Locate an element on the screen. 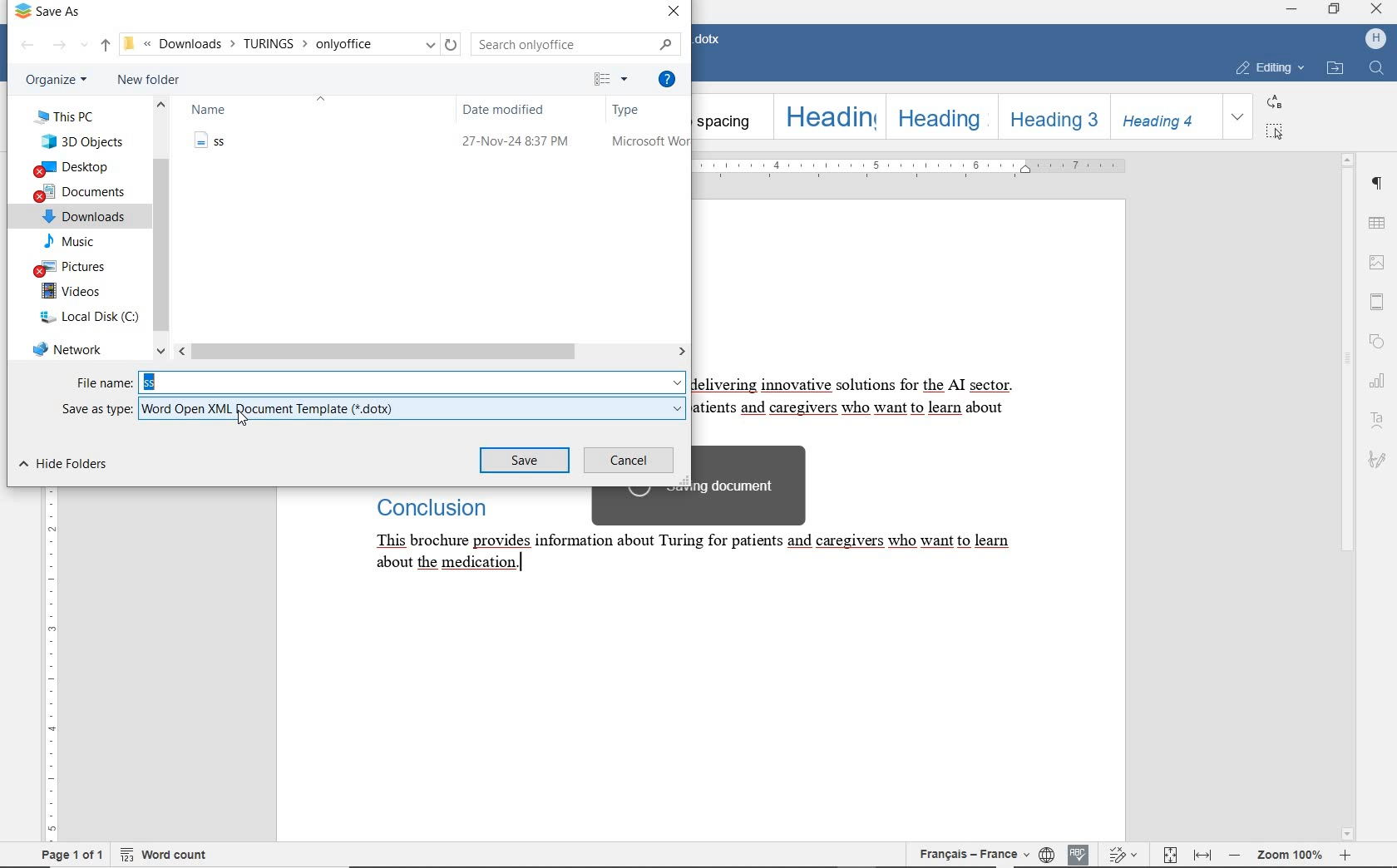 The width and height of the screenshot is (1397, 868). SCROLLBAR is located at coordinates (1347, 497).